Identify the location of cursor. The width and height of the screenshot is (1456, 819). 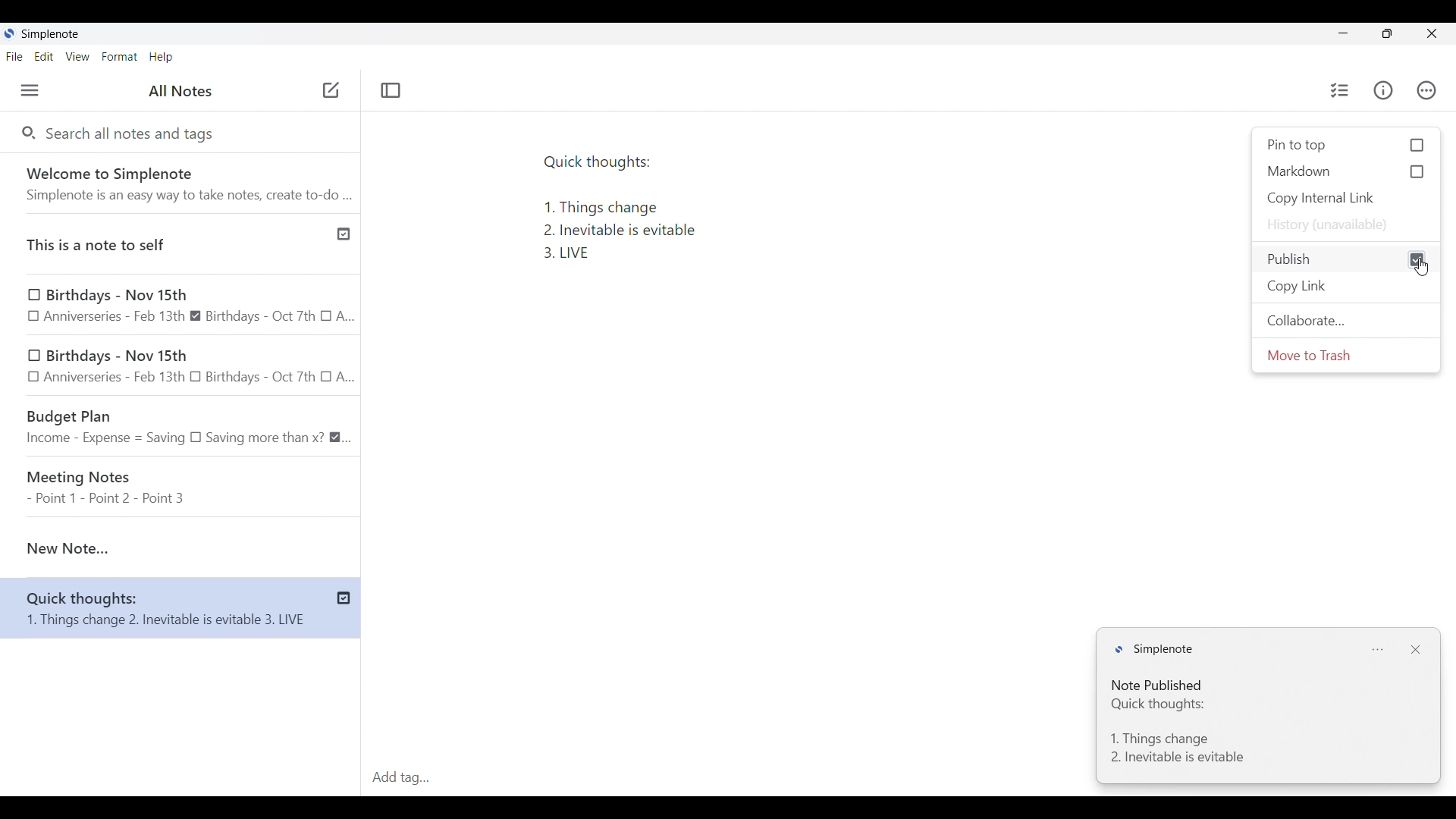
(329, 89).